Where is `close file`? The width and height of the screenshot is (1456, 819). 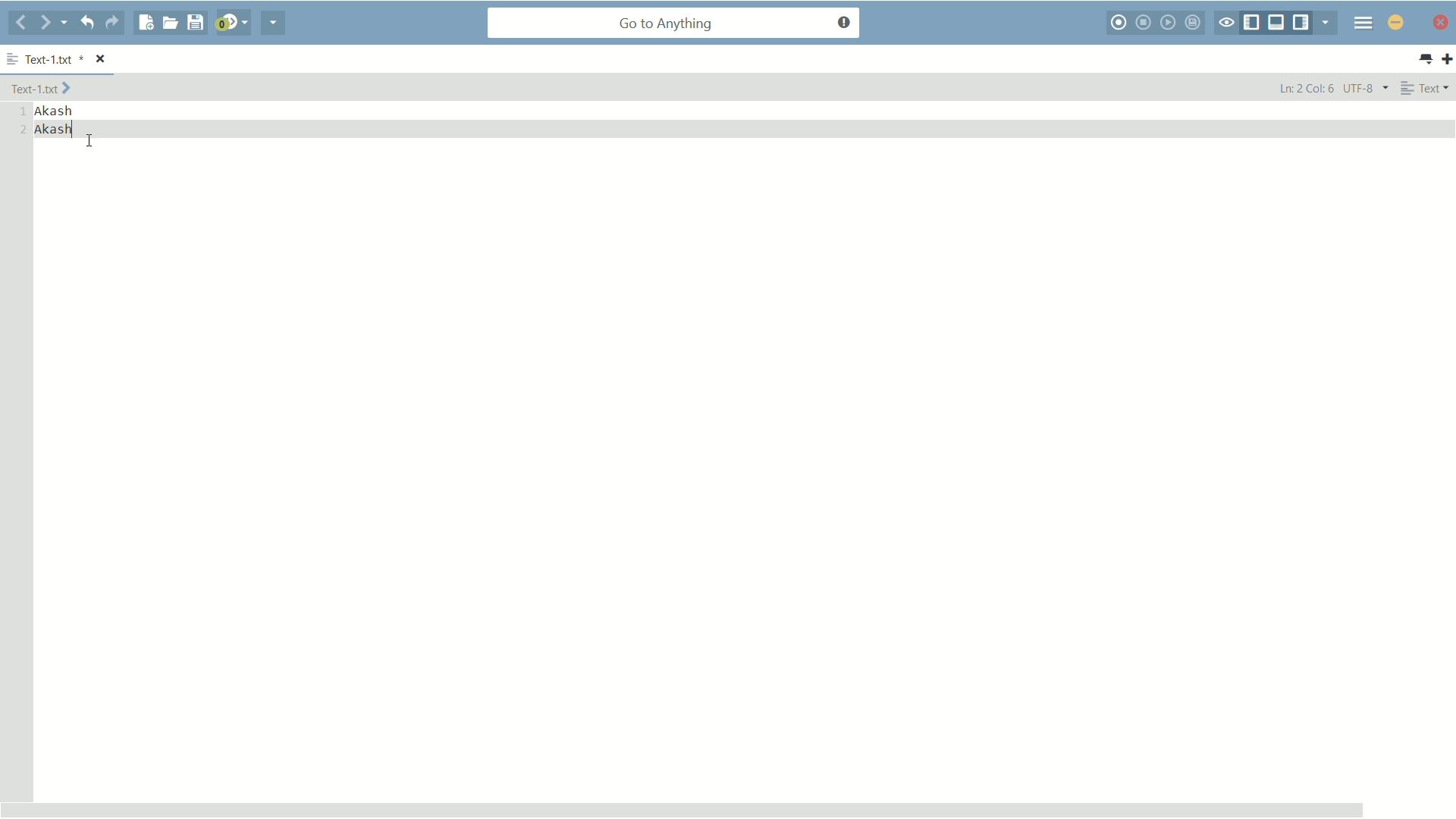
close file is located at coordinates (101, 58).